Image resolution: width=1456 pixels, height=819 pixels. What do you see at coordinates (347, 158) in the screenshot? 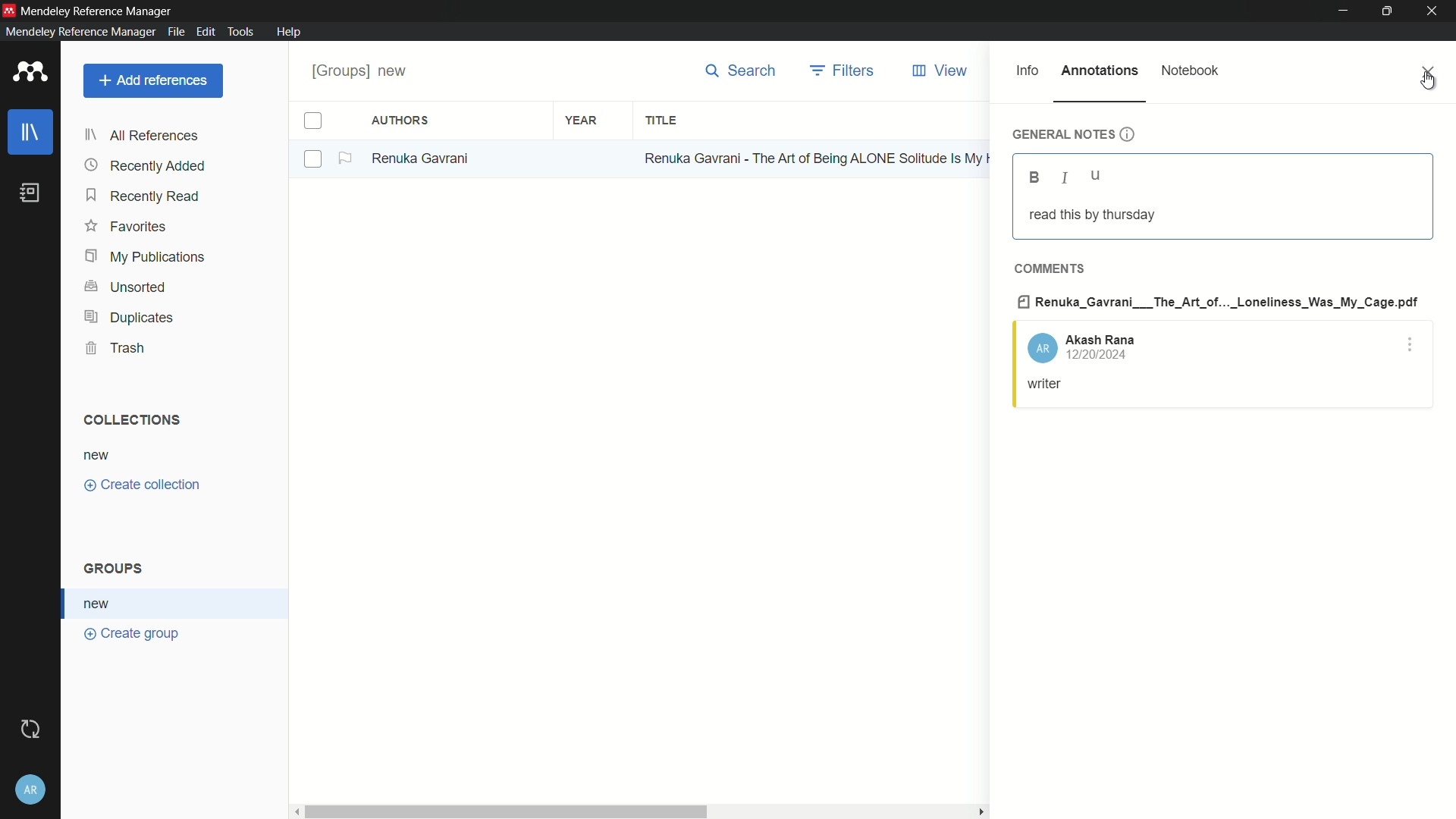
I see `flagged` at bounding box center [347, 158].